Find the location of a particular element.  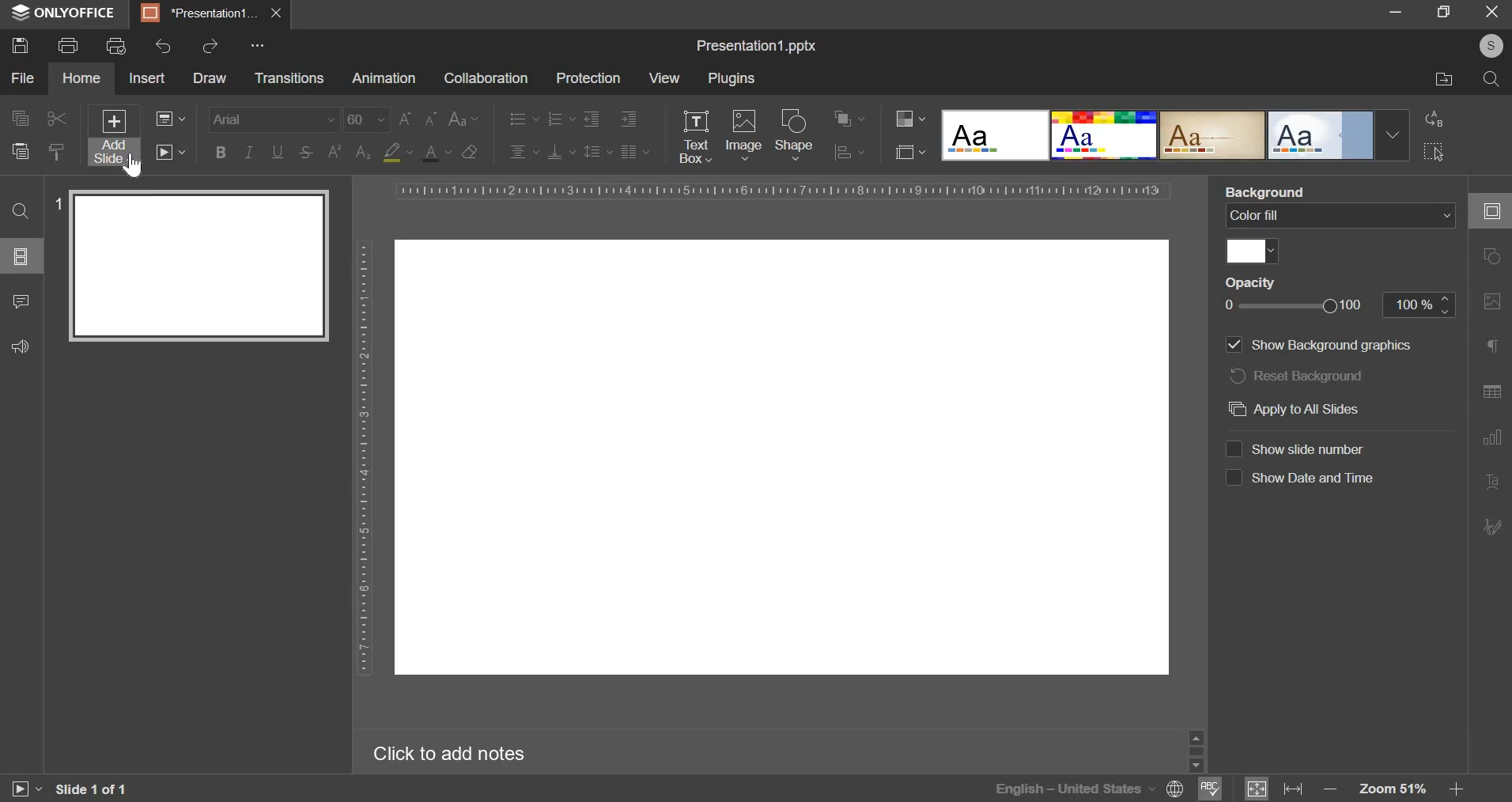

set document language is located at coordinates (1176, 789).